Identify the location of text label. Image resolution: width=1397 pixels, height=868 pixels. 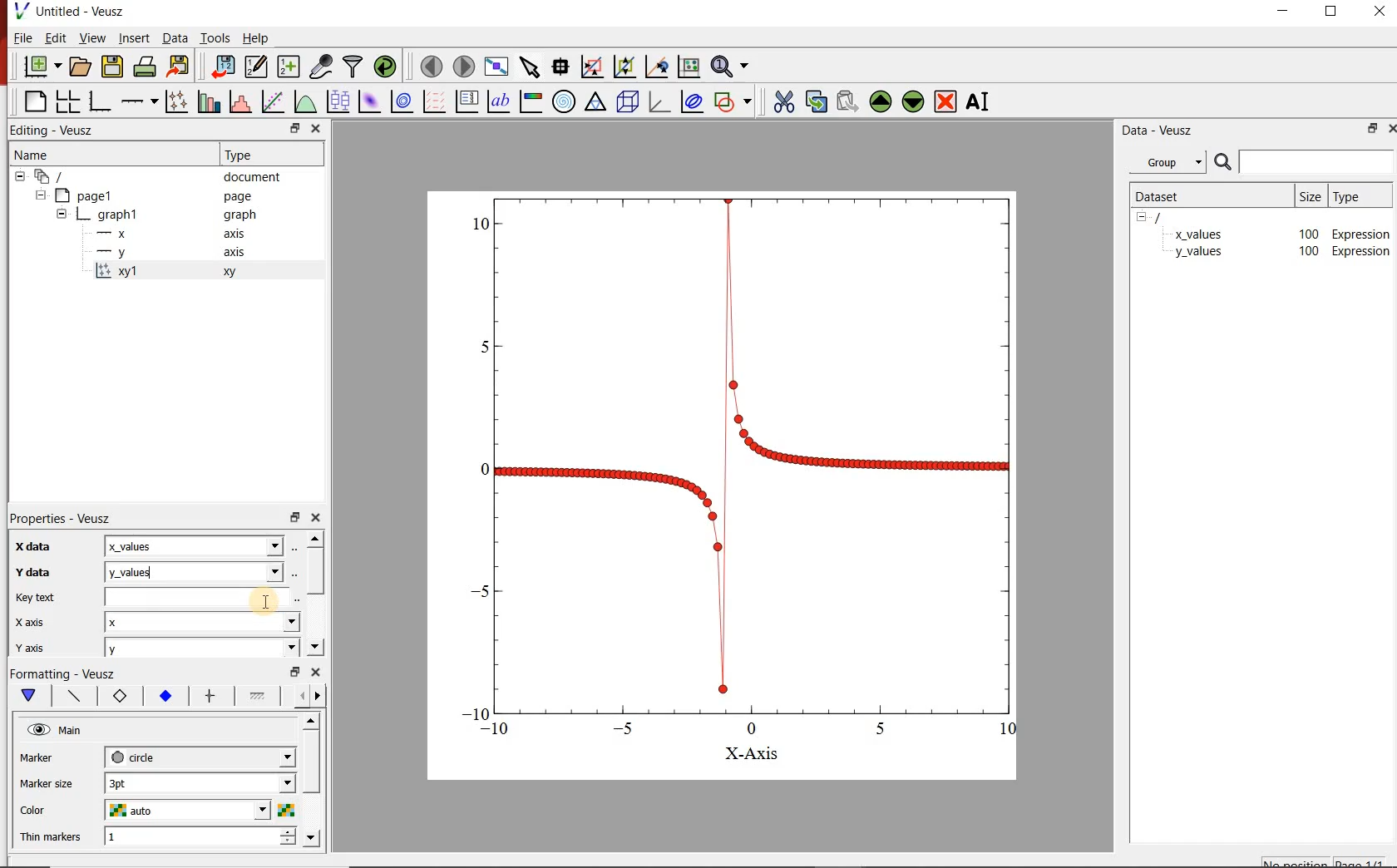
(496, 101).